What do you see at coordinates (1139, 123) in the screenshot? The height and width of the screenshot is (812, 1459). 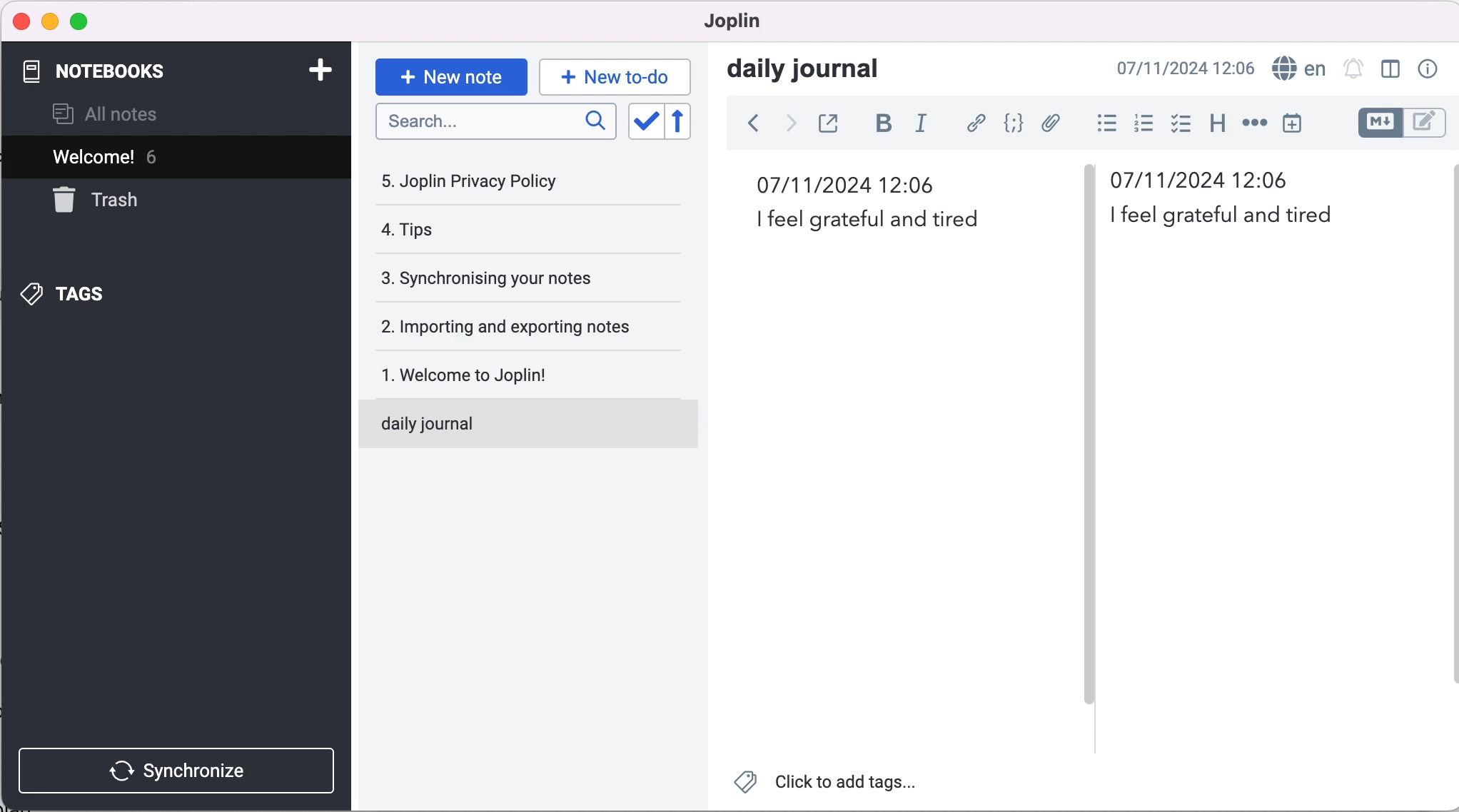 I see `numbered list` at bounding box center [1139, 123].